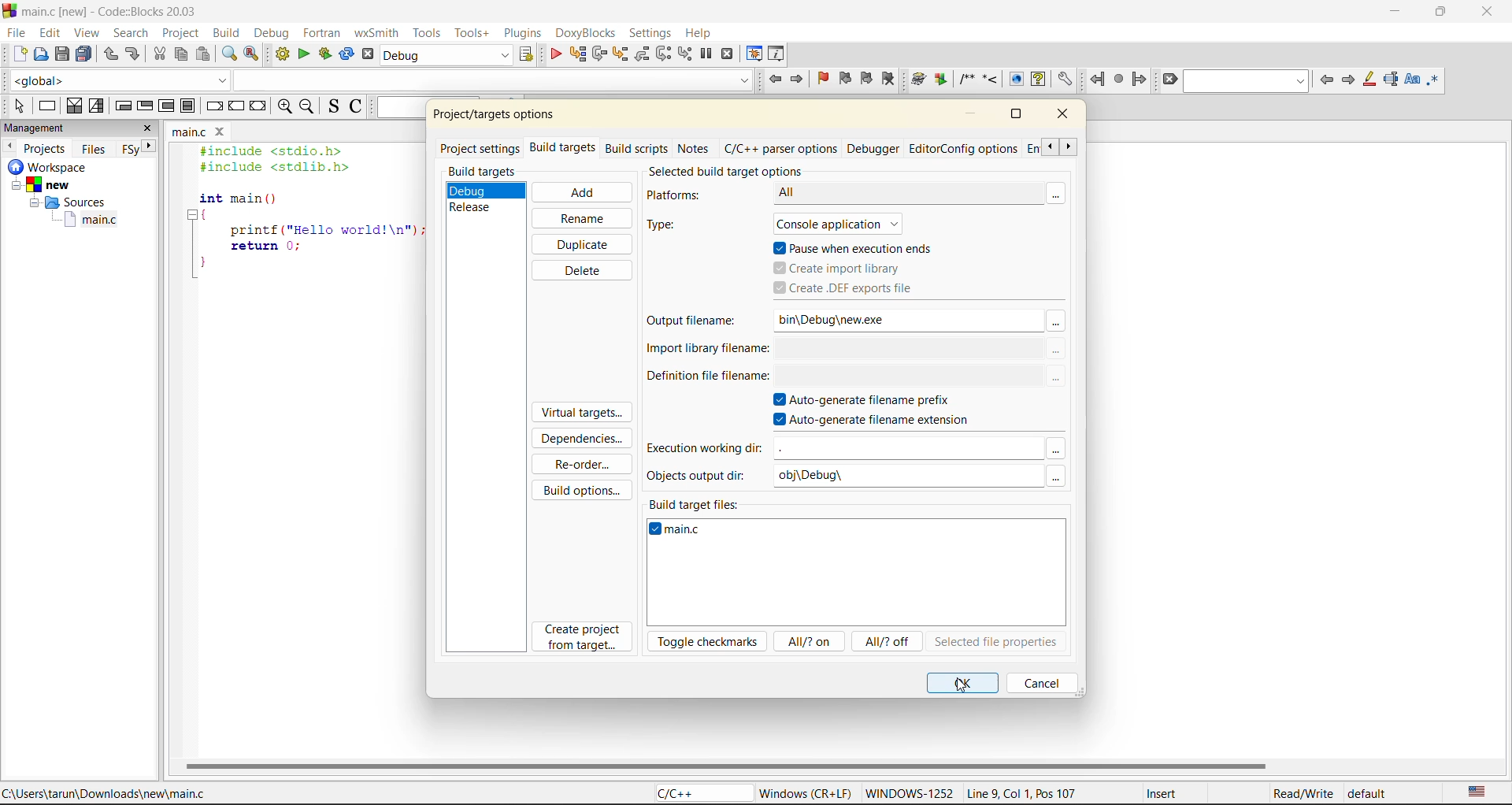 The image size is (1512, 805). Describe the element at coordinates (707, 54) in the screenshot. I see `break debugger` at that location.